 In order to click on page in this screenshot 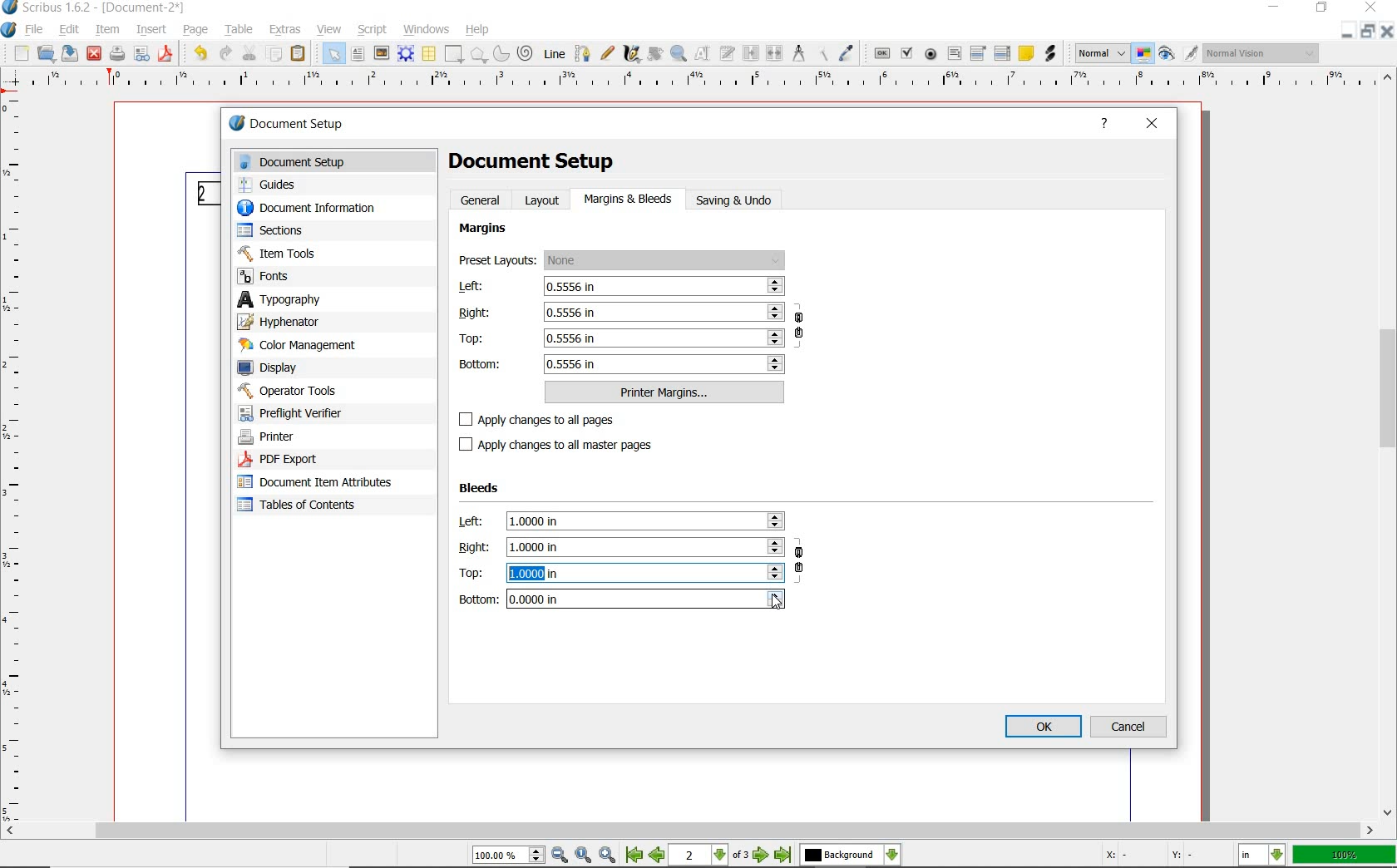, I will do `click(197, 31)`.